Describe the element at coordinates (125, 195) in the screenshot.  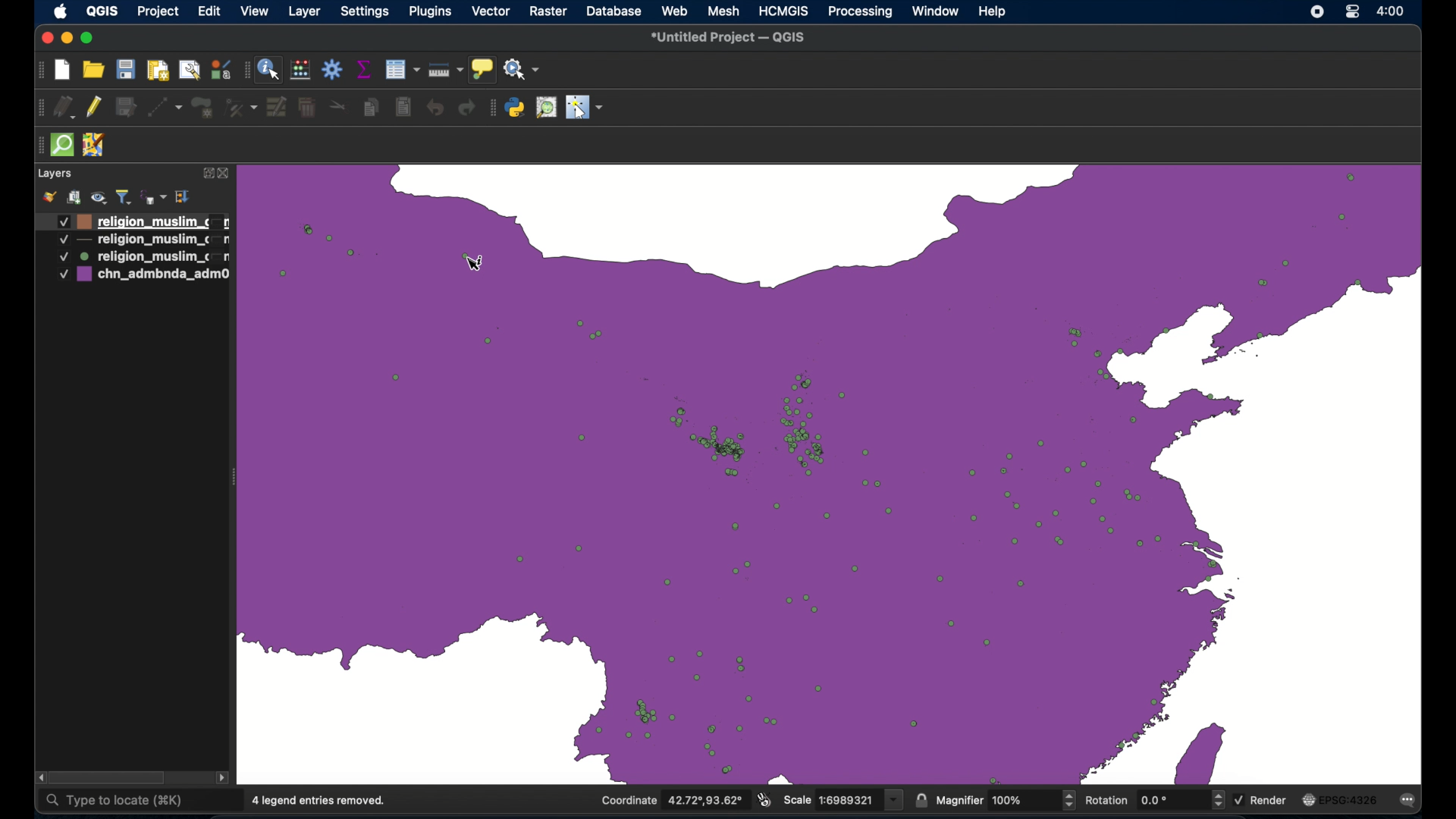
I see `filter  legend` at that location.